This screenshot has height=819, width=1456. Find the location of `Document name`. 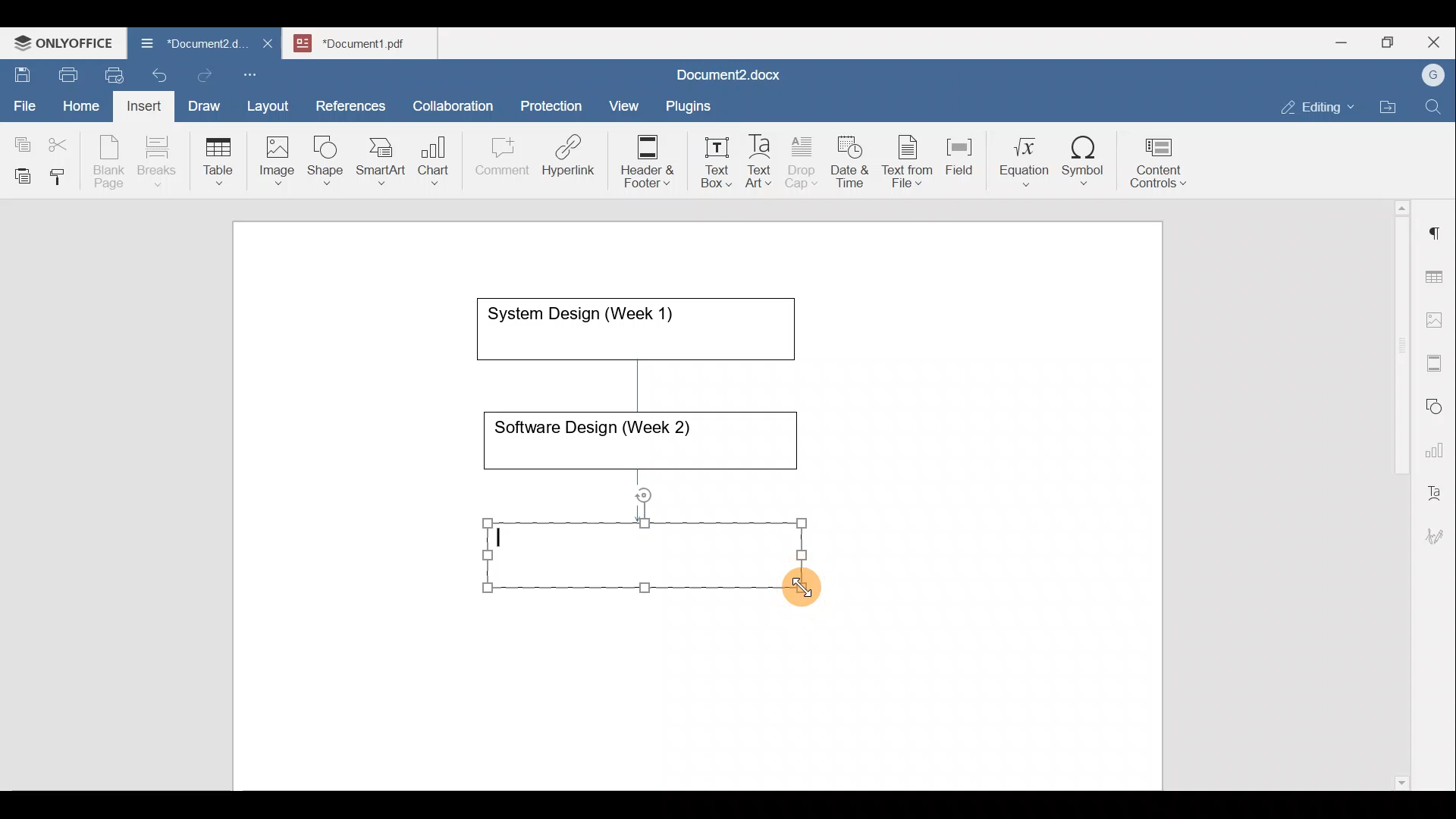

Document name is located at coordinates (369, 41).